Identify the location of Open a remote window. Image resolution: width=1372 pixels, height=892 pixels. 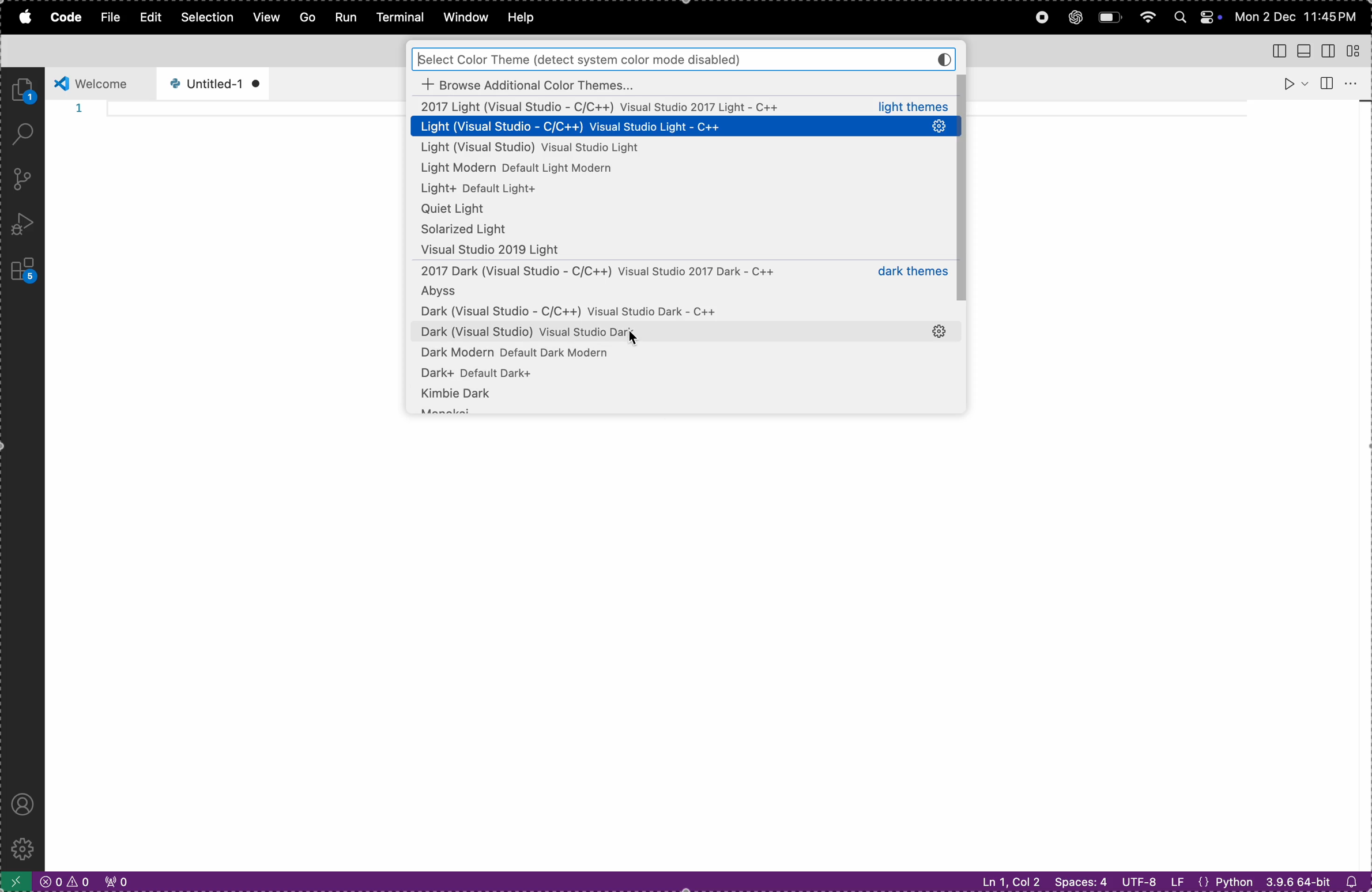
(14, 880).